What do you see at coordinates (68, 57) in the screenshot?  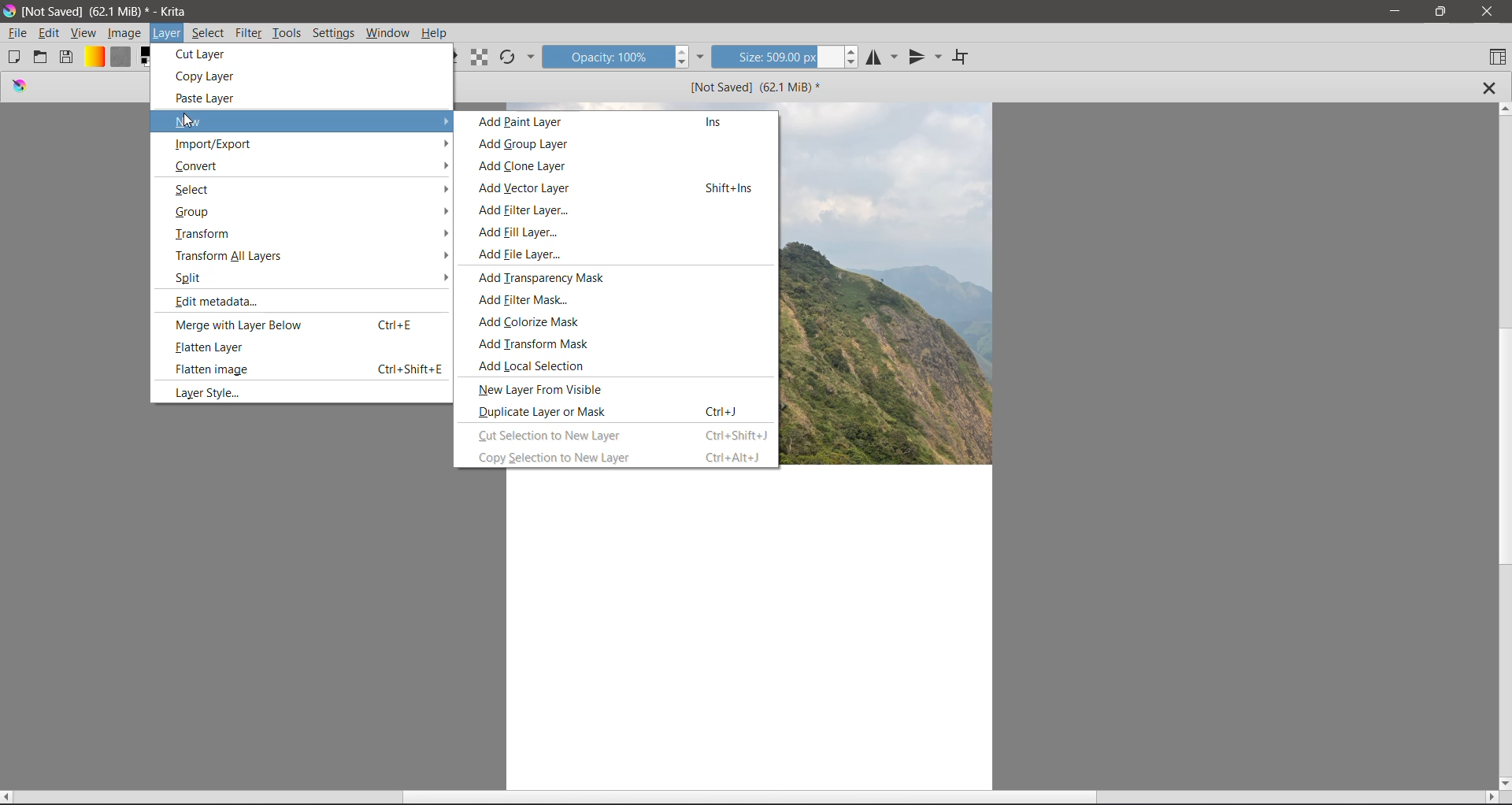 I see `Save` at bounding box center [68, 57].